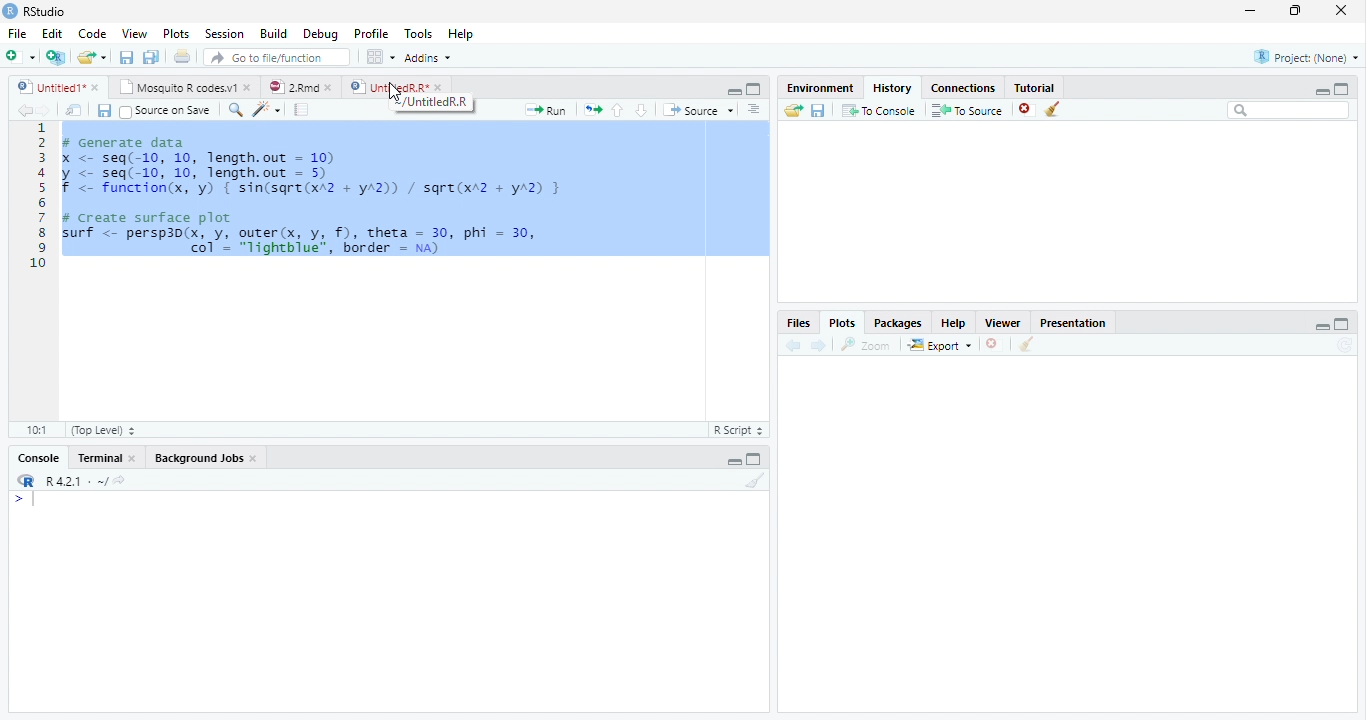  Describe the element at coordinates (893, 87) in the screenshot. I see `History` at that location.